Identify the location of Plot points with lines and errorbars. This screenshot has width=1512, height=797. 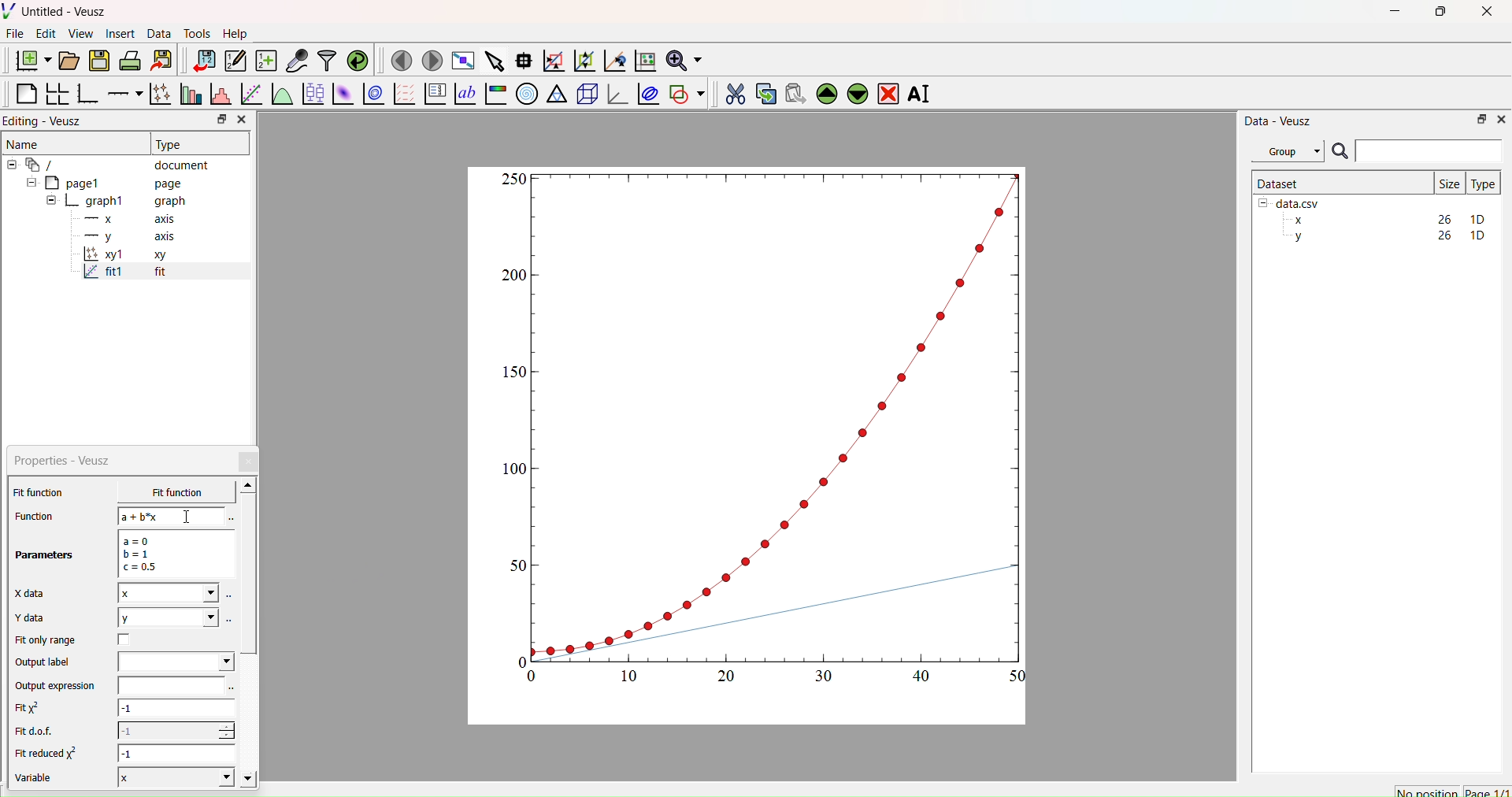
(158, 94).